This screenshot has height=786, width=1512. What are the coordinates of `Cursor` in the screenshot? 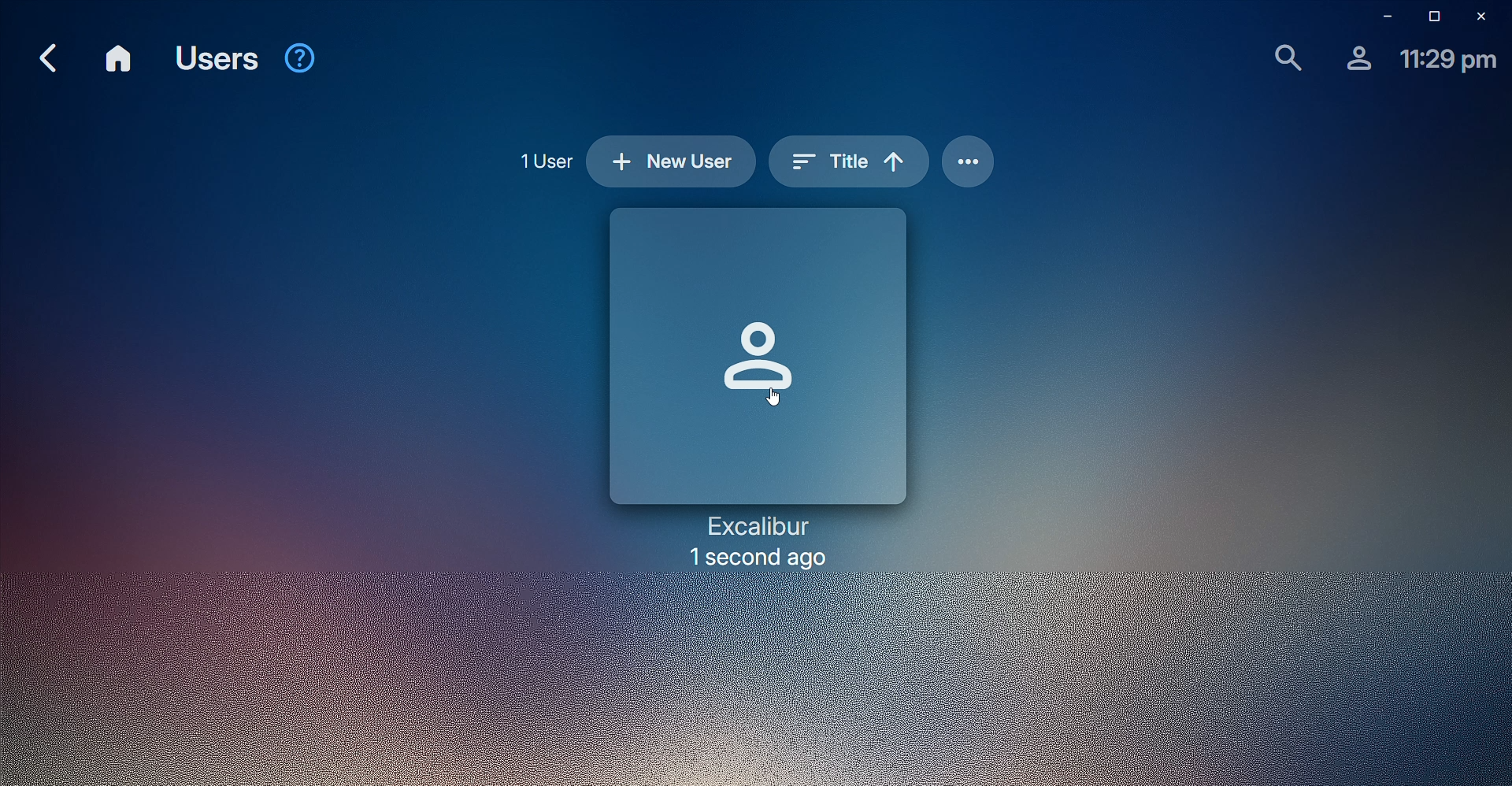 It's located at (777, 399).